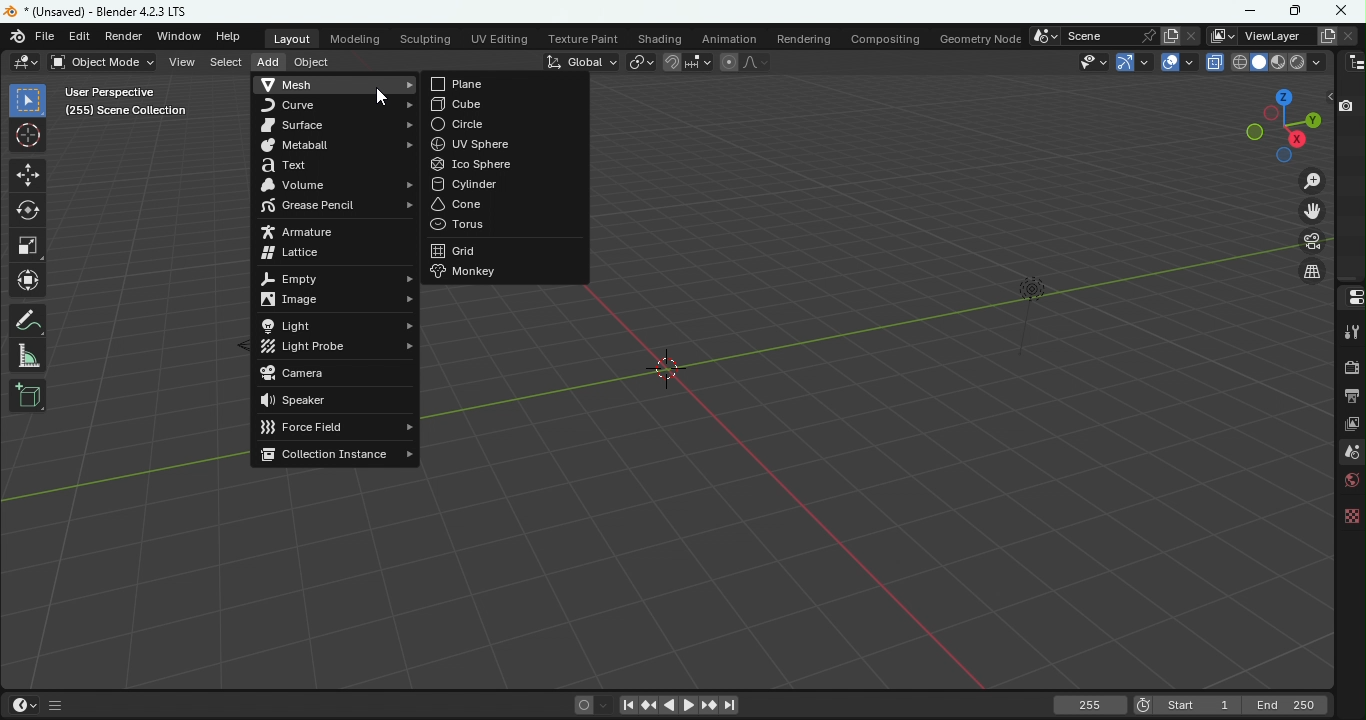 The height and width of the screenshot is (720, 1366). What do you see at coordinates (505, 204) in the screenshot?
I see `Cone` at bounding box center [505, 204].